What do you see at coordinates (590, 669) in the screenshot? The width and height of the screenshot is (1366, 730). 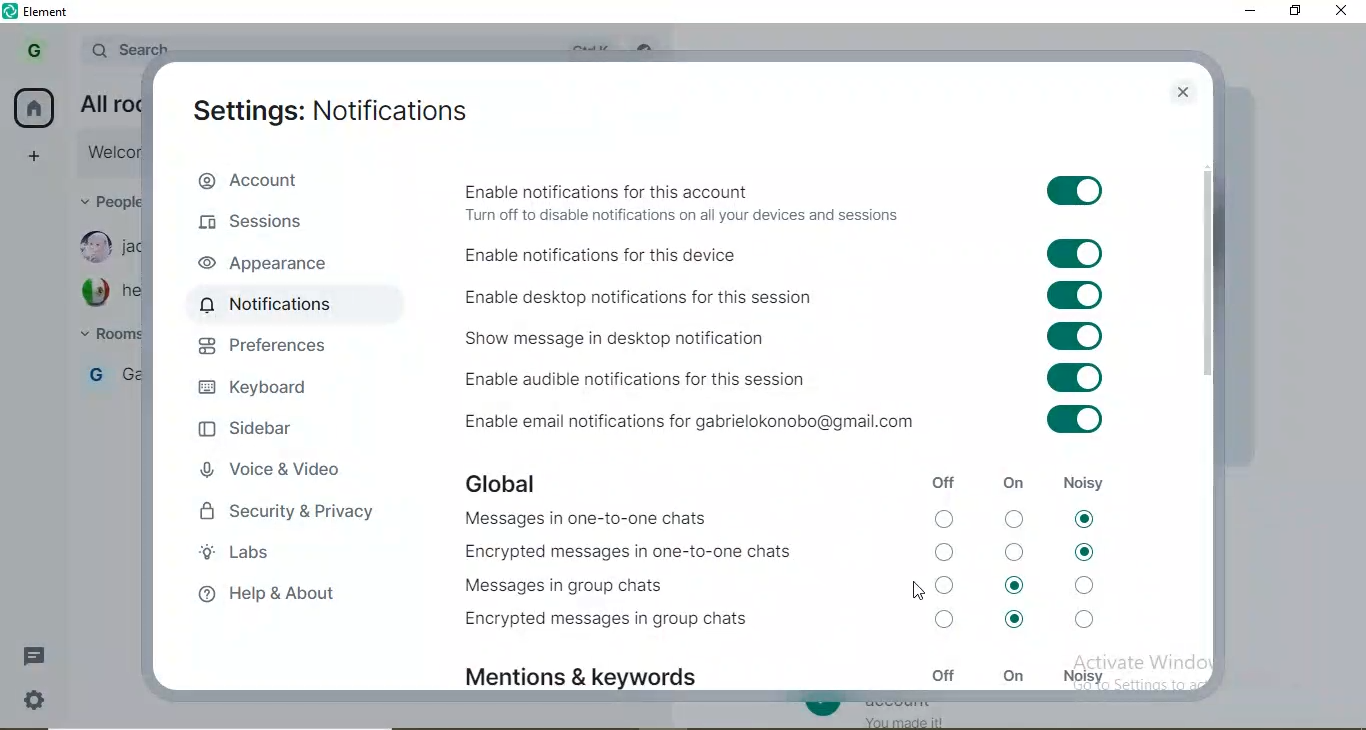 I see `mentions and keywords` at bounding box center [590, 669].